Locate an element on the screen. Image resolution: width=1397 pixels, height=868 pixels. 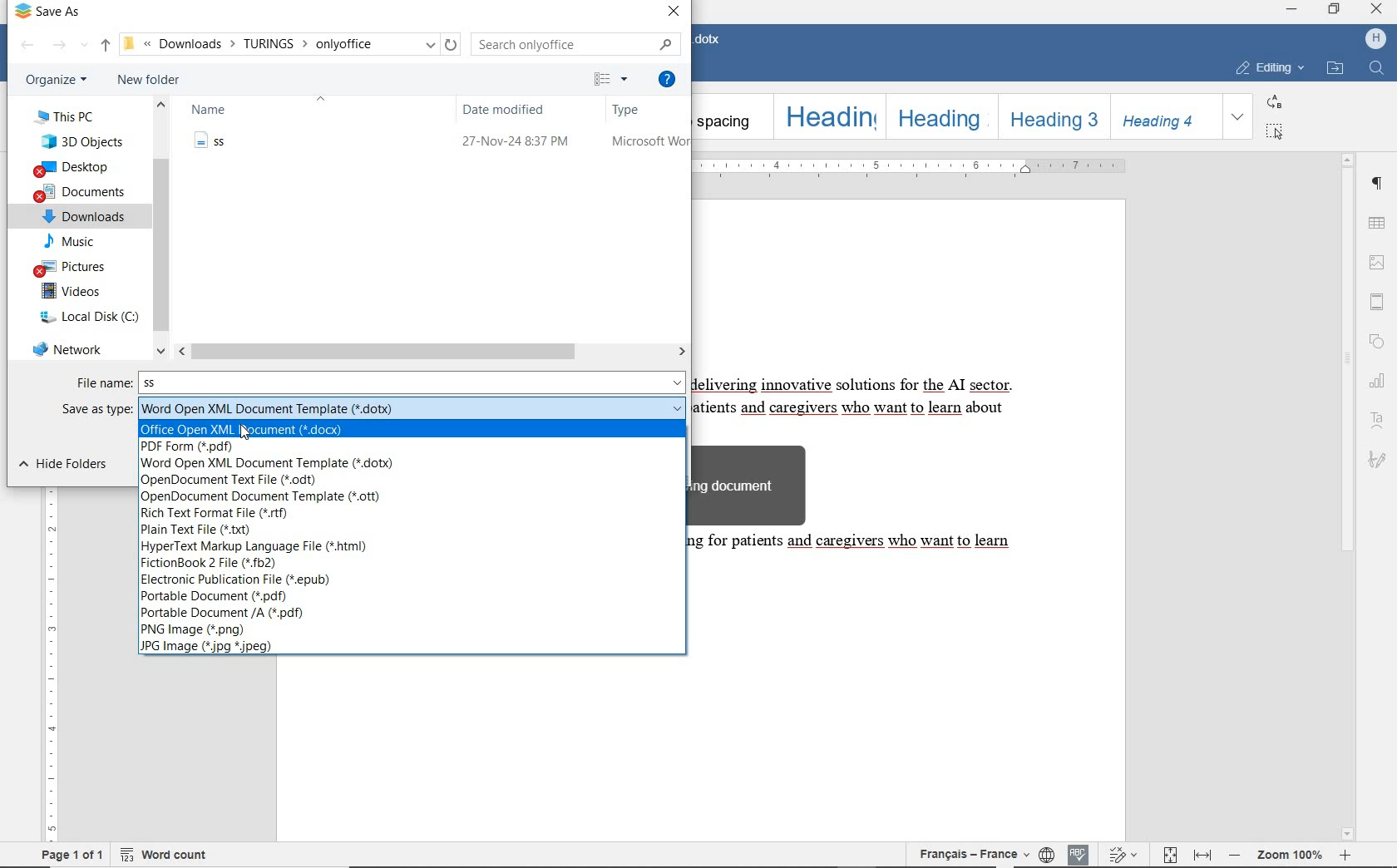
DATE MODIFIED is located at coordinates (515, 111).